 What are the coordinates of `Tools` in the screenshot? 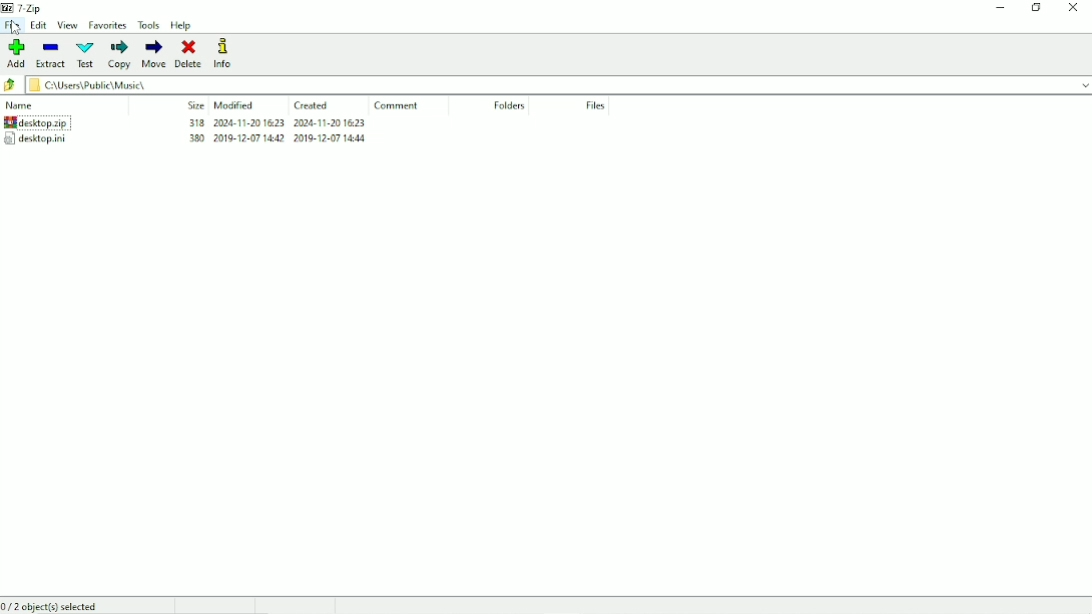 It's located at (149, 26).